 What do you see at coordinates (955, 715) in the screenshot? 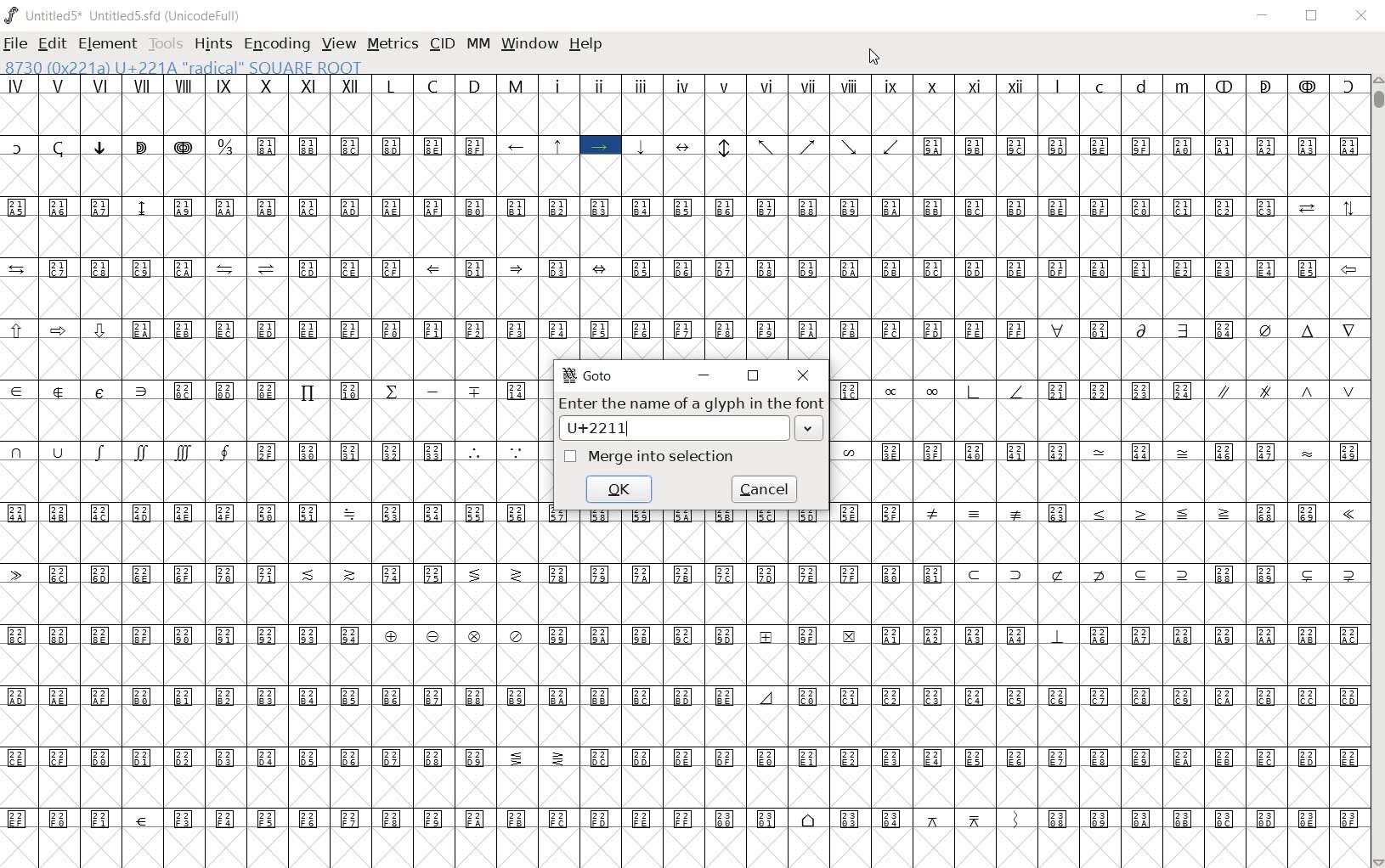
I see `glyph characters` at bounding box center [955, 715].